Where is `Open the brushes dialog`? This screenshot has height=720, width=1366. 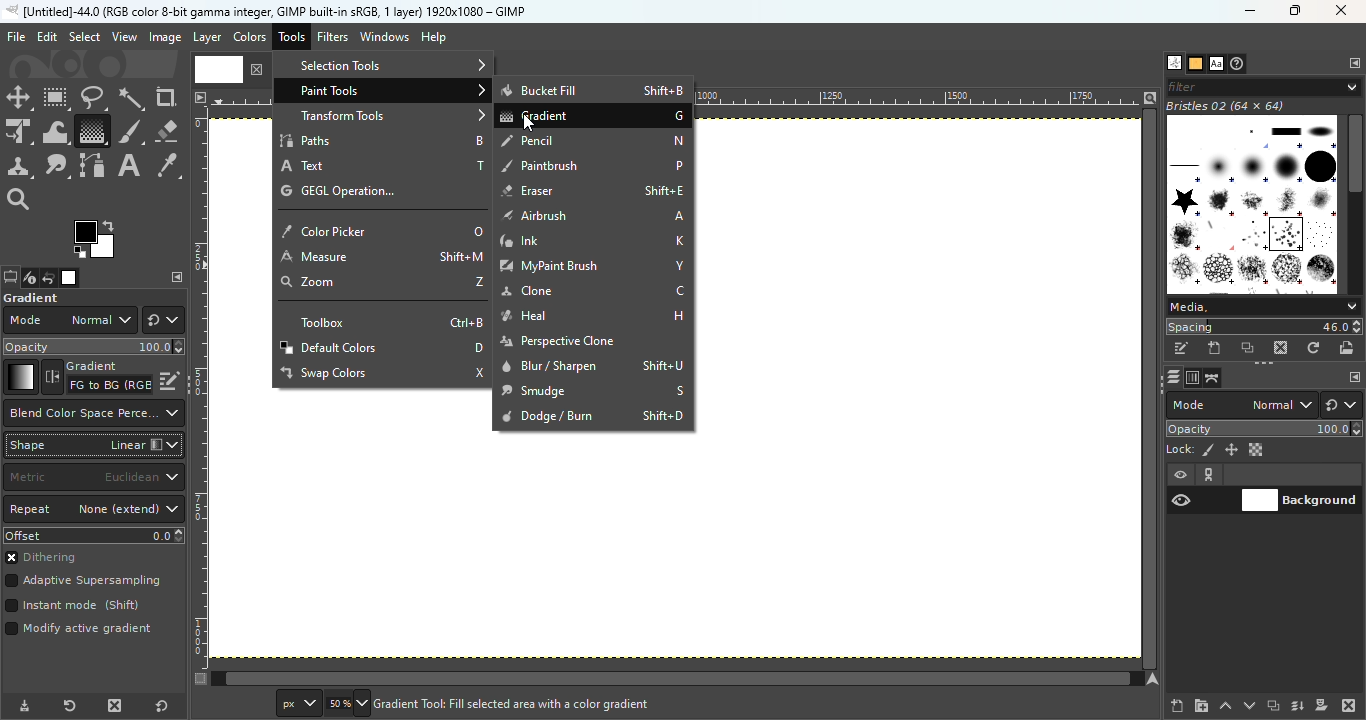
Open the brushes dialog is located at coordinates (1174, 62).